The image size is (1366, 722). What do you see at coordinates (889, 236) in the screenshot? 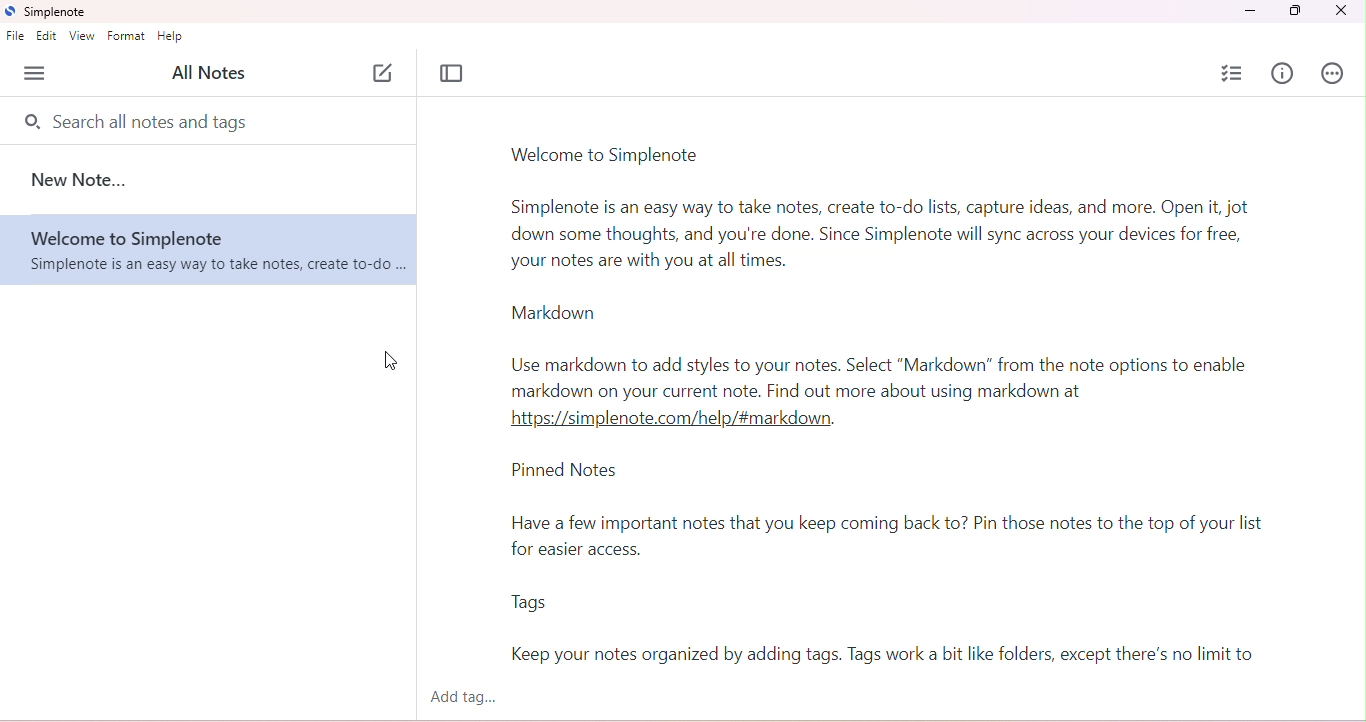
I see `welcome text` at bounding box center [889, 236].